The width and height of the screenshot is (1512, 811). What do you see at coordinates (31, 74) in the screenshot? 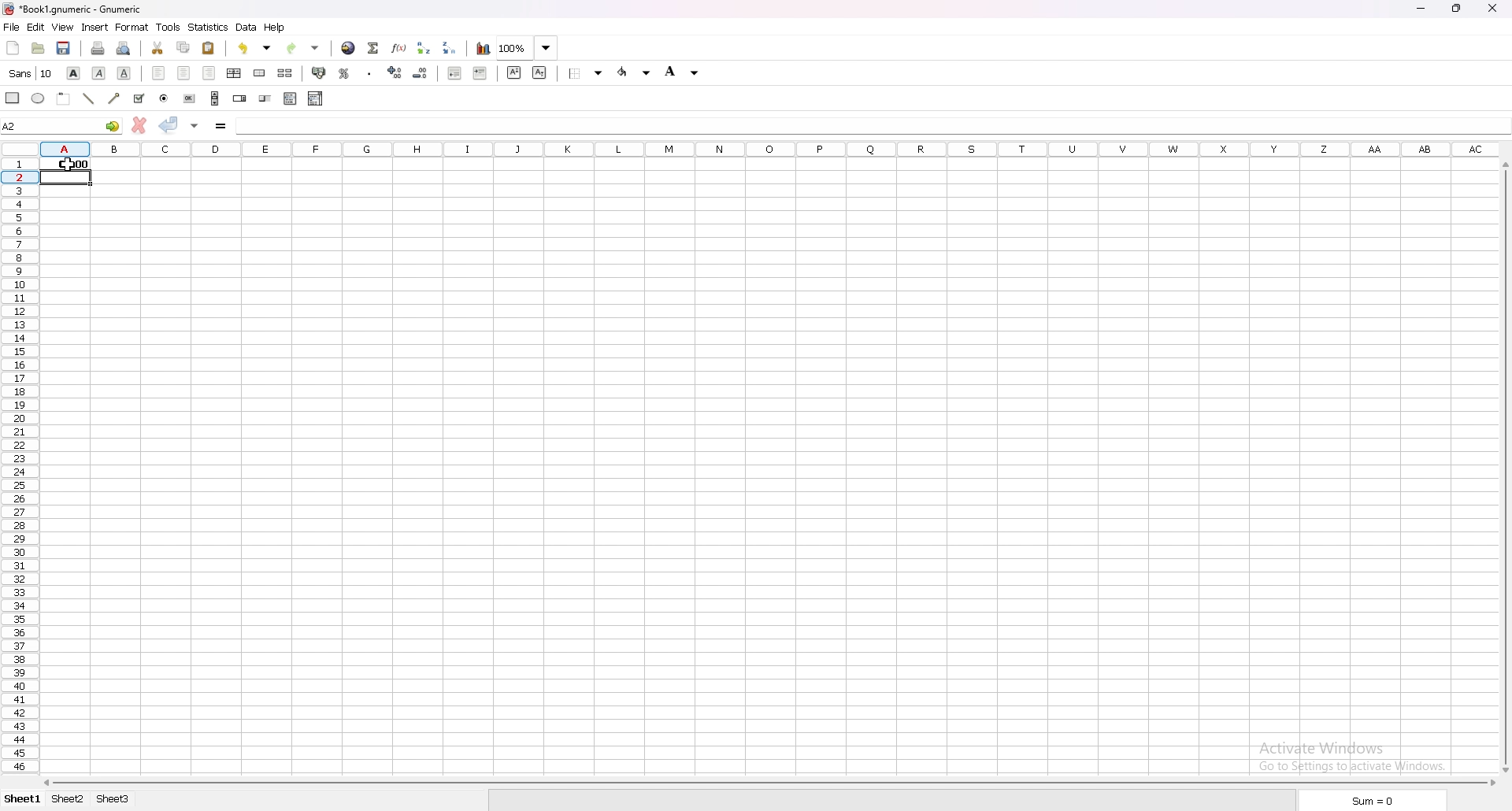
I see `font` at bounding box center [31, 74].